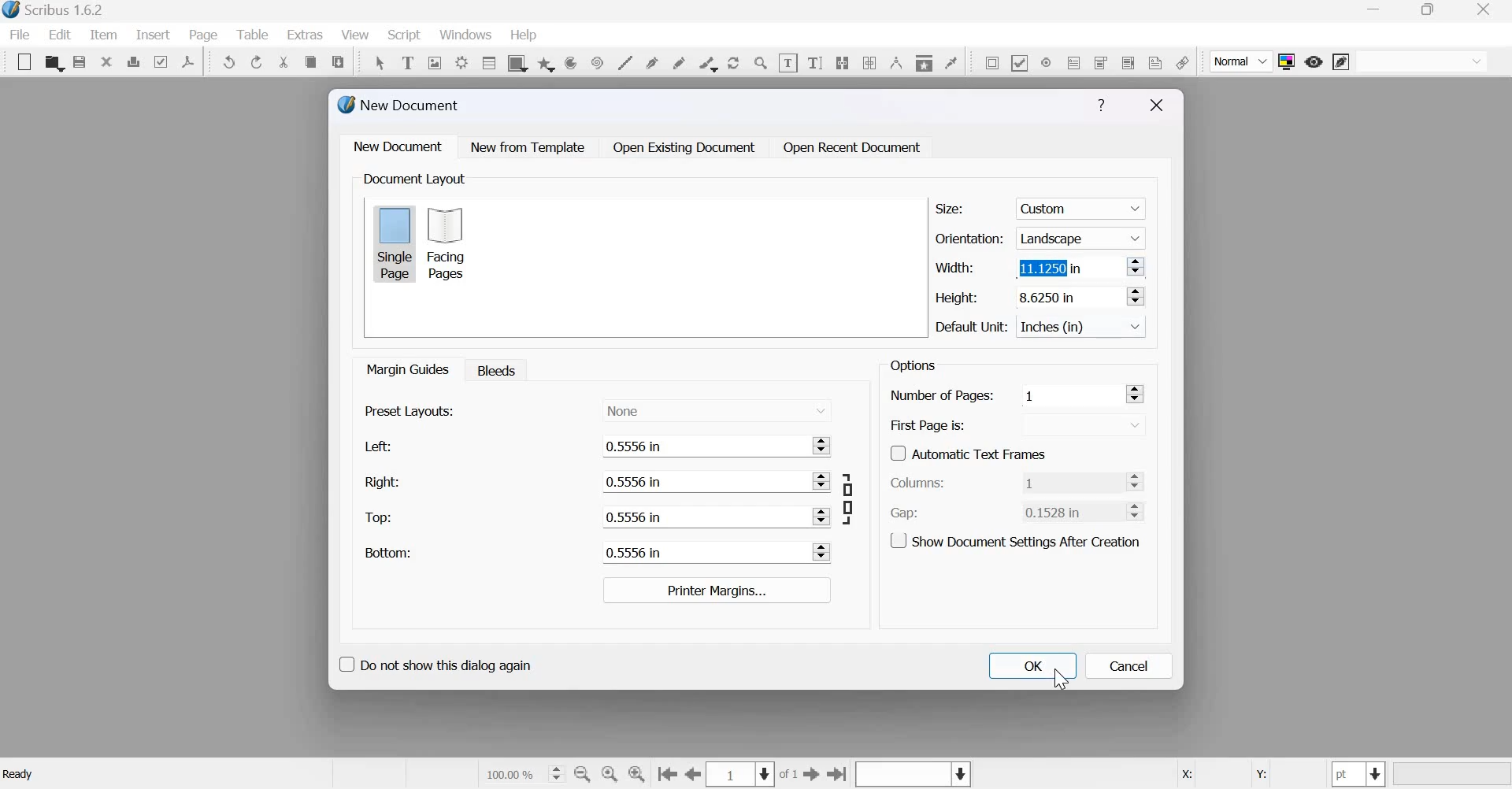 The width and height of the screenshot is (1512, 789). Describe the element at coordinates (1083, 237) in the screenshot. I see `Landscape` at that location.